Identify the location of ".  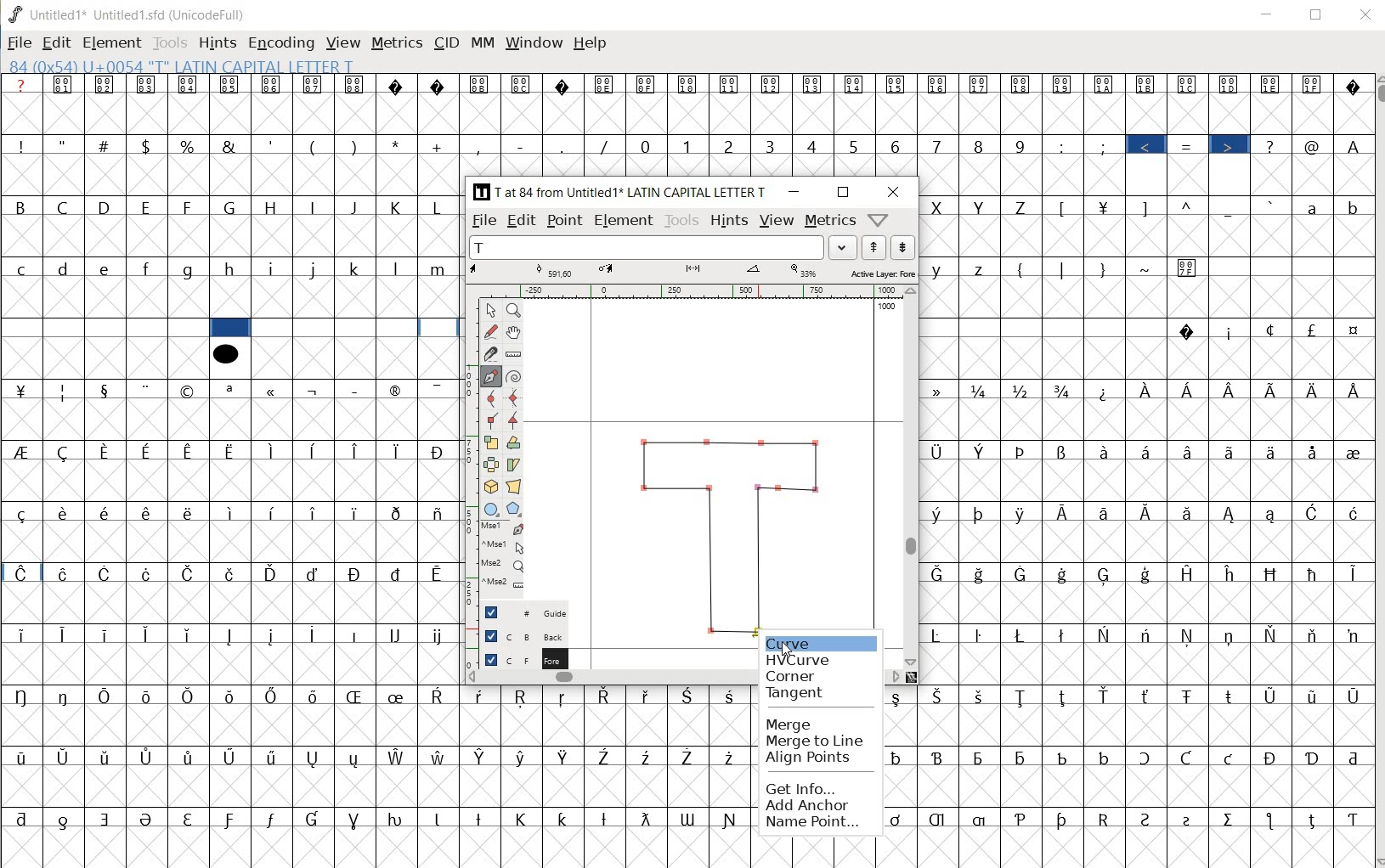
(65, 144).